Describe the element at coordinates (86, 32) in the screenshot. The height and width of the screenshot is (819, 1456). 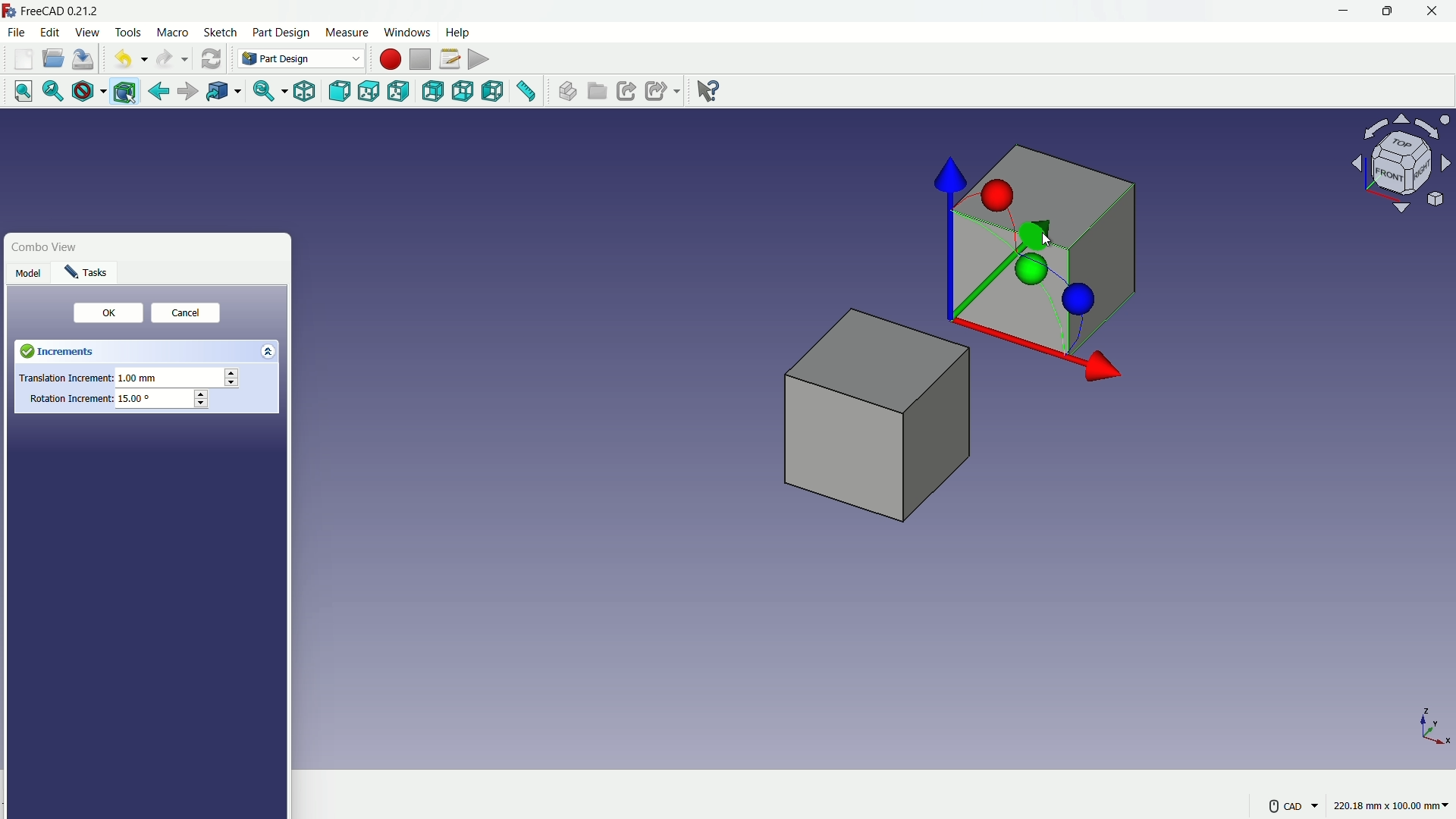
I see `view` at that location.